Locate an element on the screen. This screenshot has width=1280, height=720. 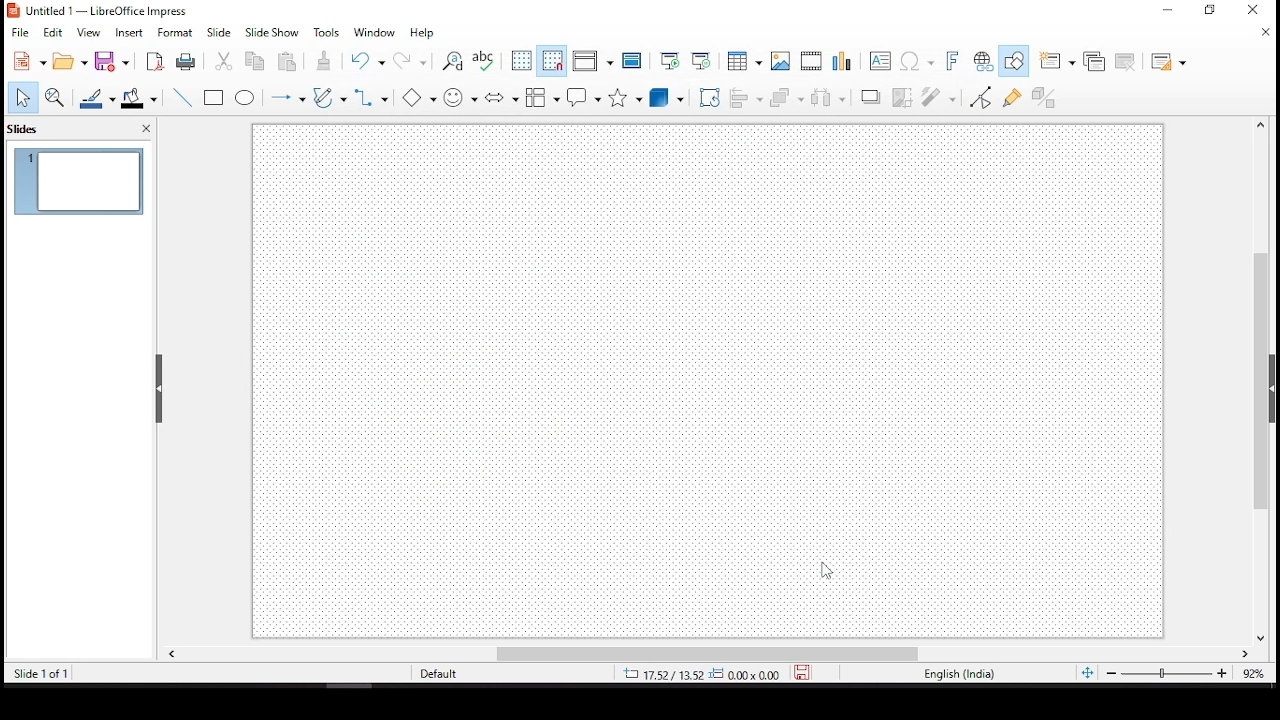
cut is located at coordinates (223, 61).